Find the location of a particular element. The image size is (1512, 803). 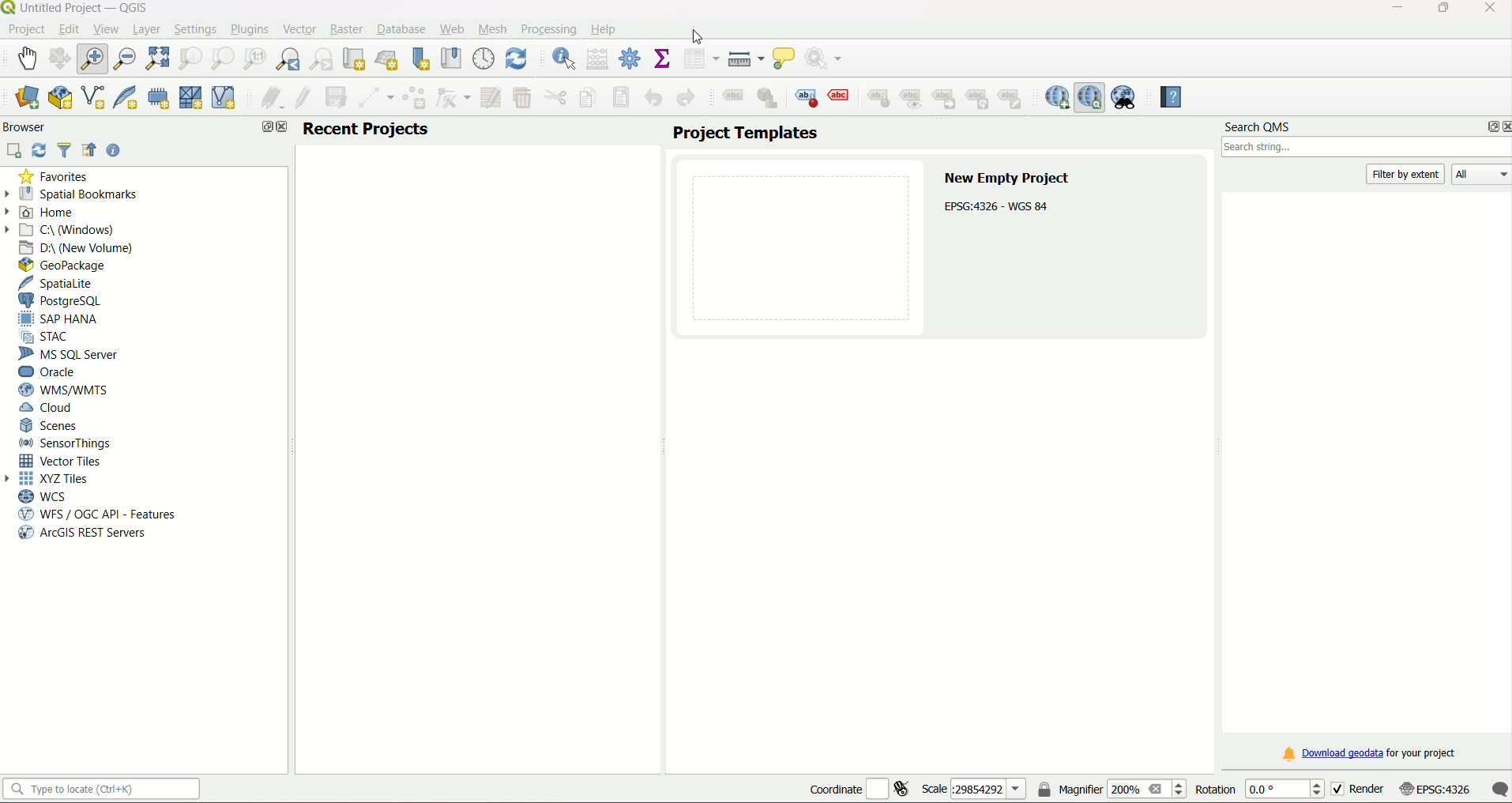

undo  is located at coordinates (655, 97).